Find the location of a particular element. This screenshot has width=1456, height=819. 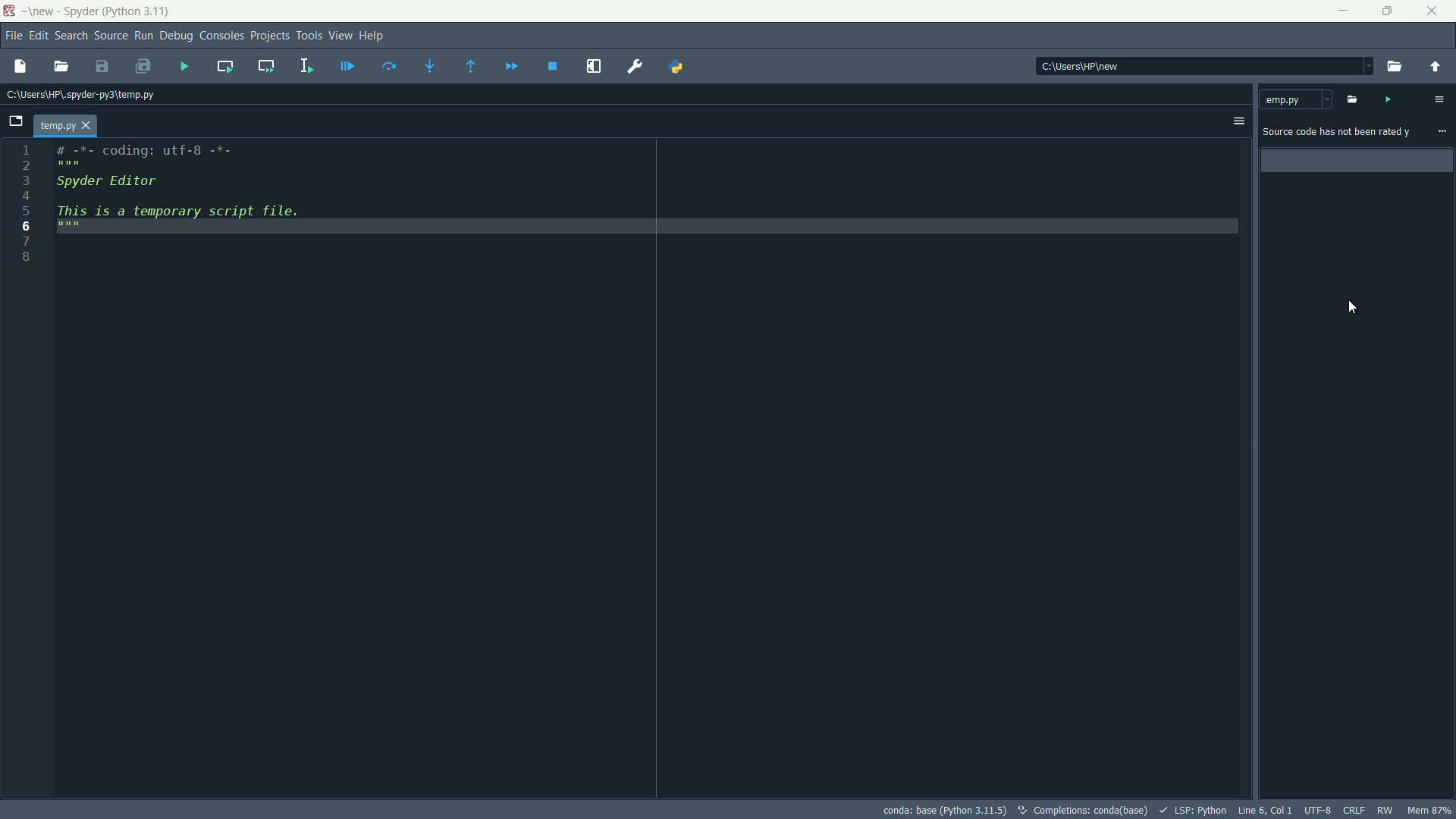

3 is located at coordinates (25, 180).